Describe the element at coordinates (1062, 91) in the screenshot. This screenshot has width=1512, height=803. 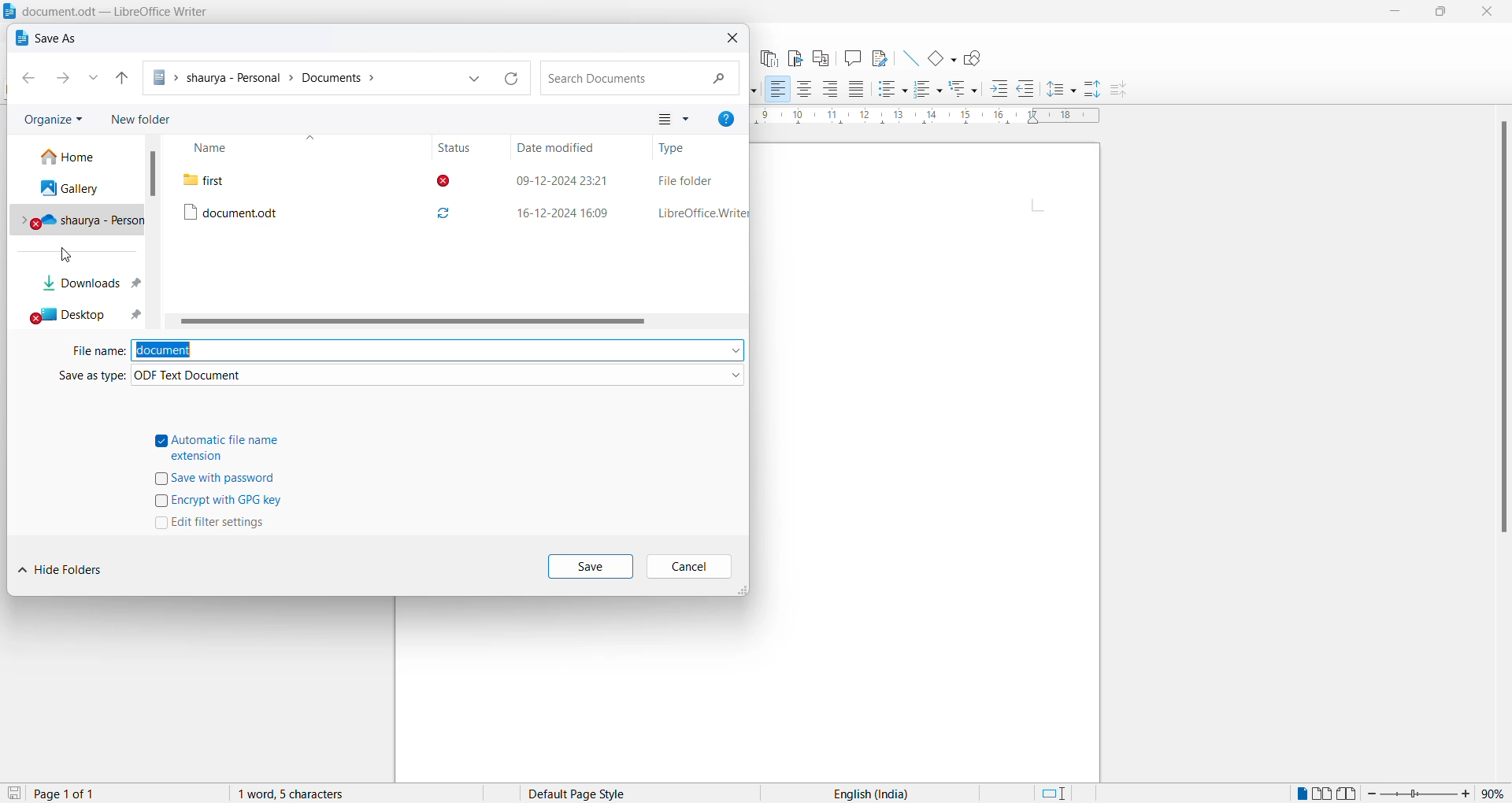
I see `Line spacing options` at that location.